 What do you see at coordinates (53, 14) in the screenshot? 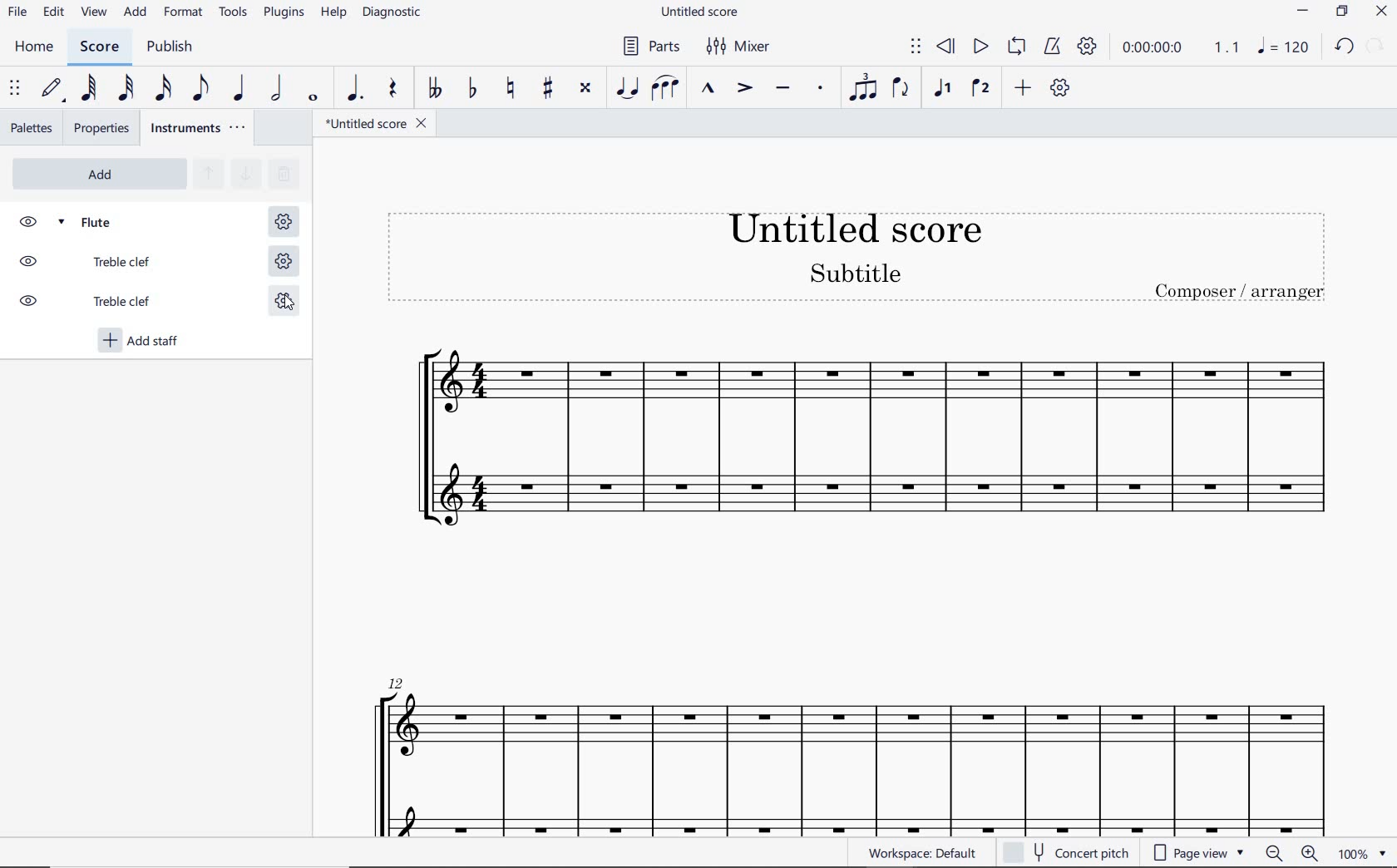
I see `edit` at bounding box center [53, 14].